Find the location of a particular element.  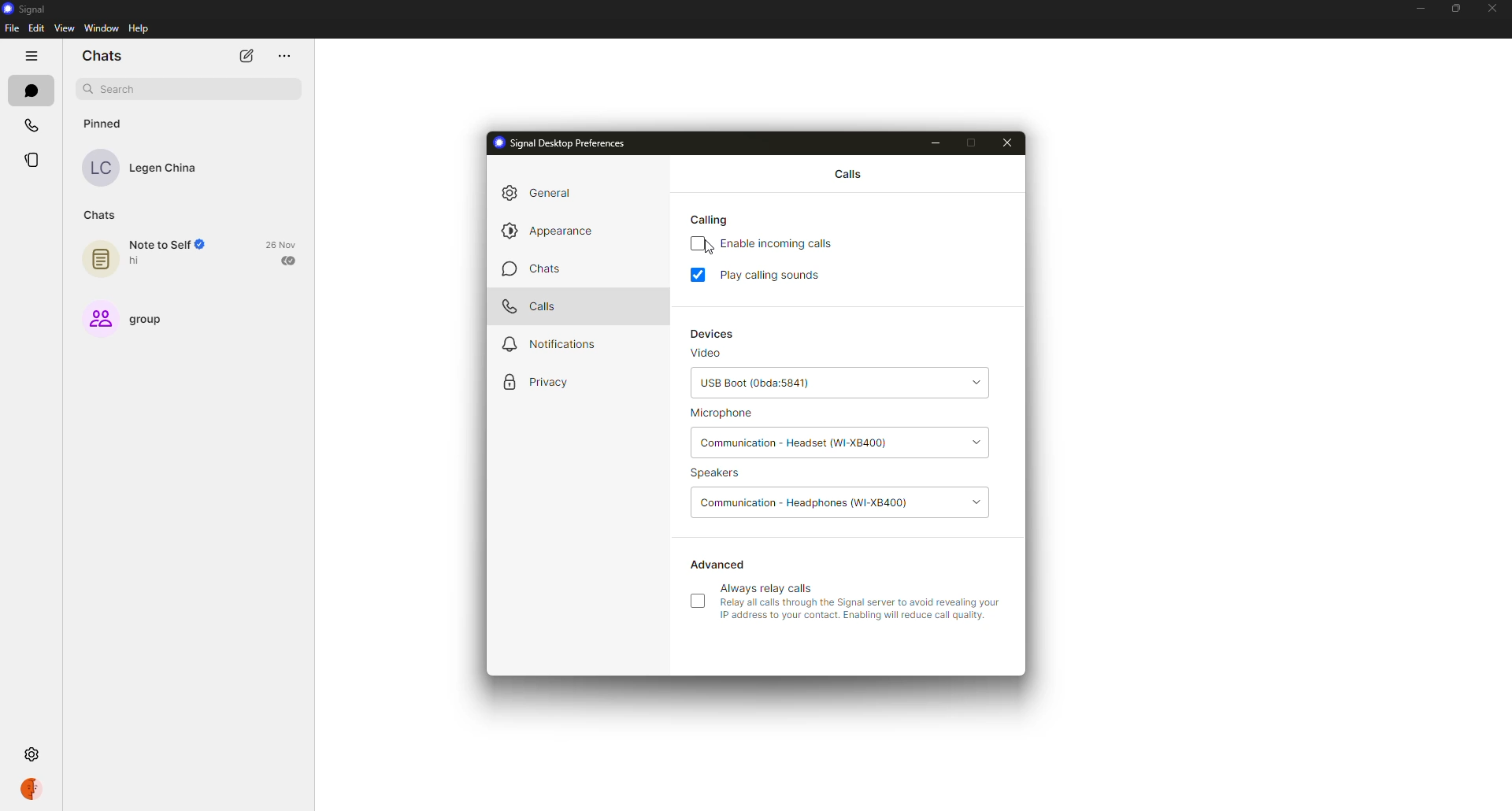

contact is located at coordinates (140, 168).